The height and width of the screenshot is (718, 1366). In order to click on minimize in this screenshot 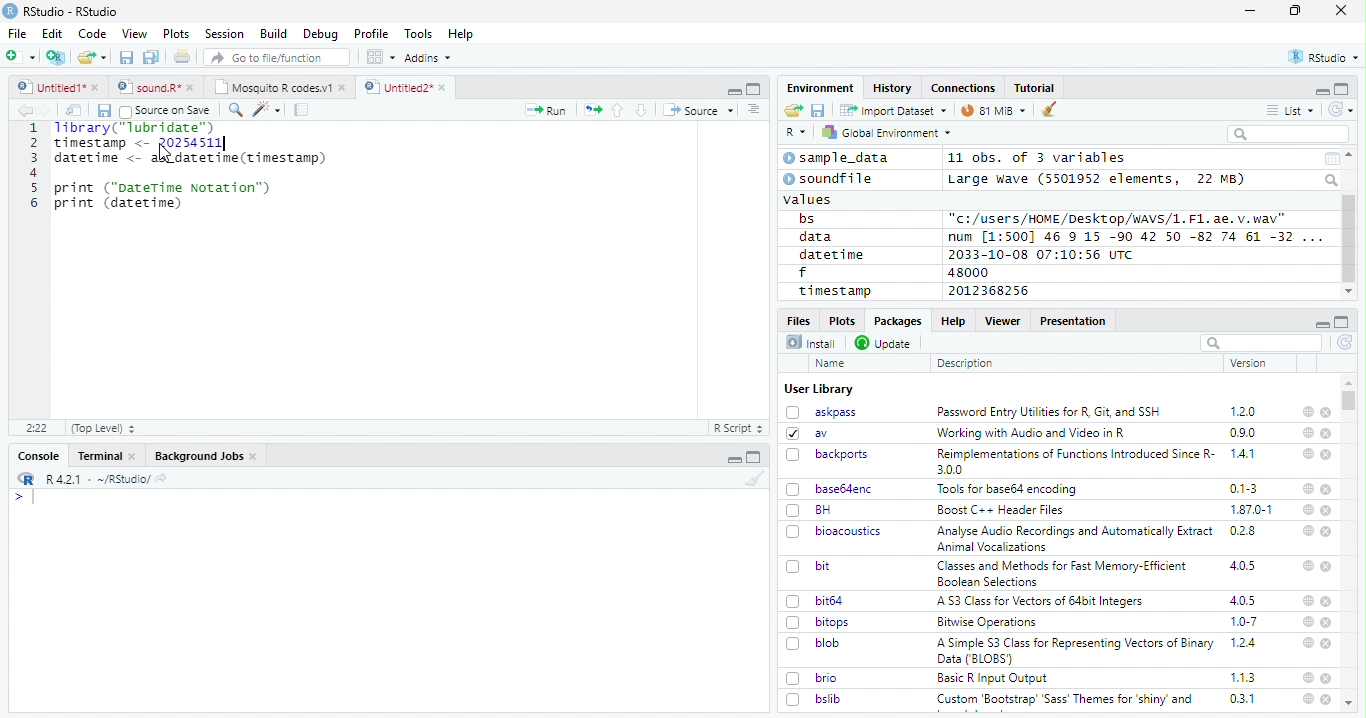, I will do `click(736, 457)`.